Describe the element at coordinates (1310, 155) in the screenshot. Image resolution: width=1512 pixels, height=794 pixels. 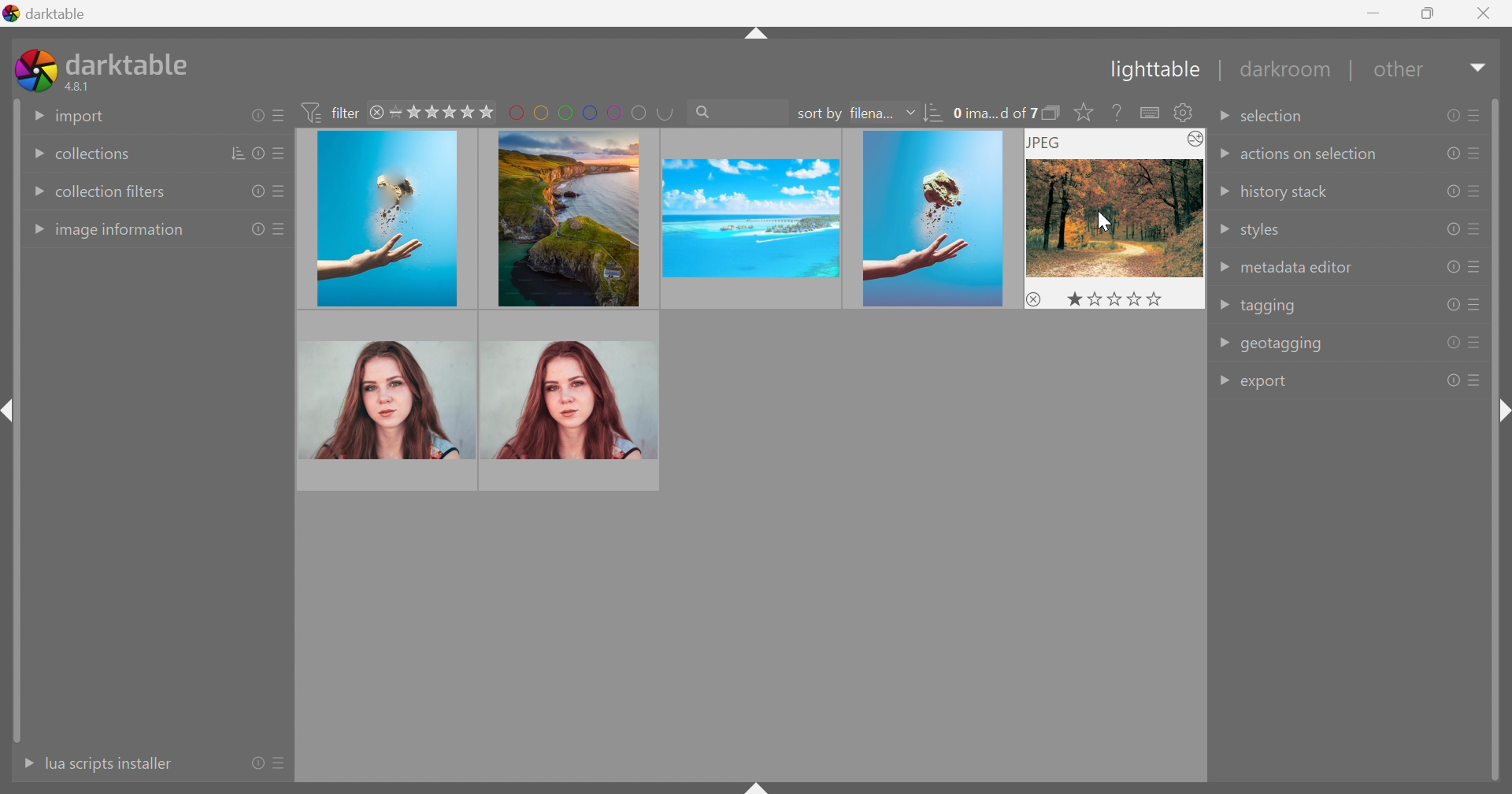
I see `actions on selection` at that location.